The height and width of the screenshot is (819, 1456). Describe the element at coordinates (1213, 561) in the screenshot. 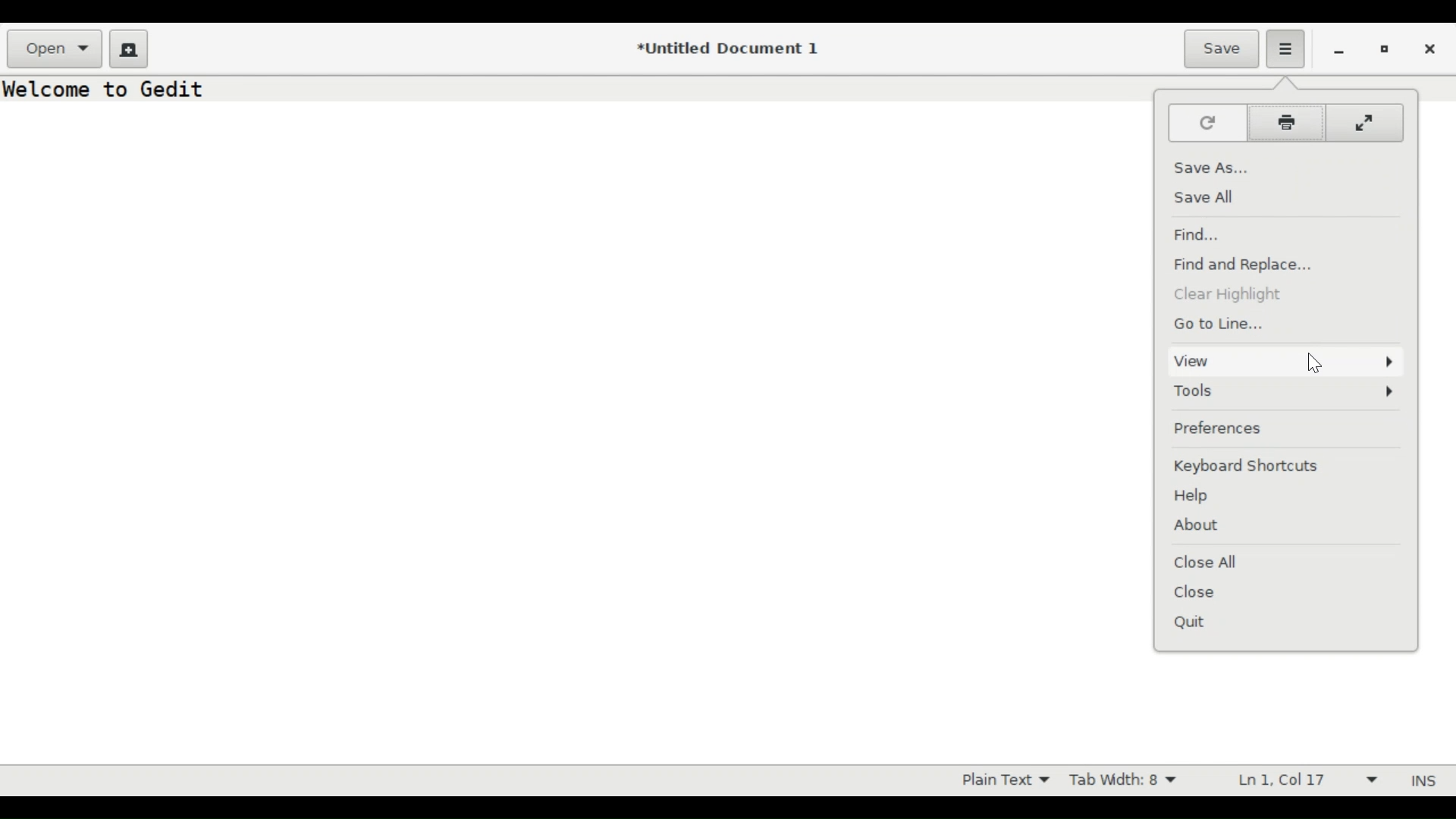

I see `Close all` at that location.